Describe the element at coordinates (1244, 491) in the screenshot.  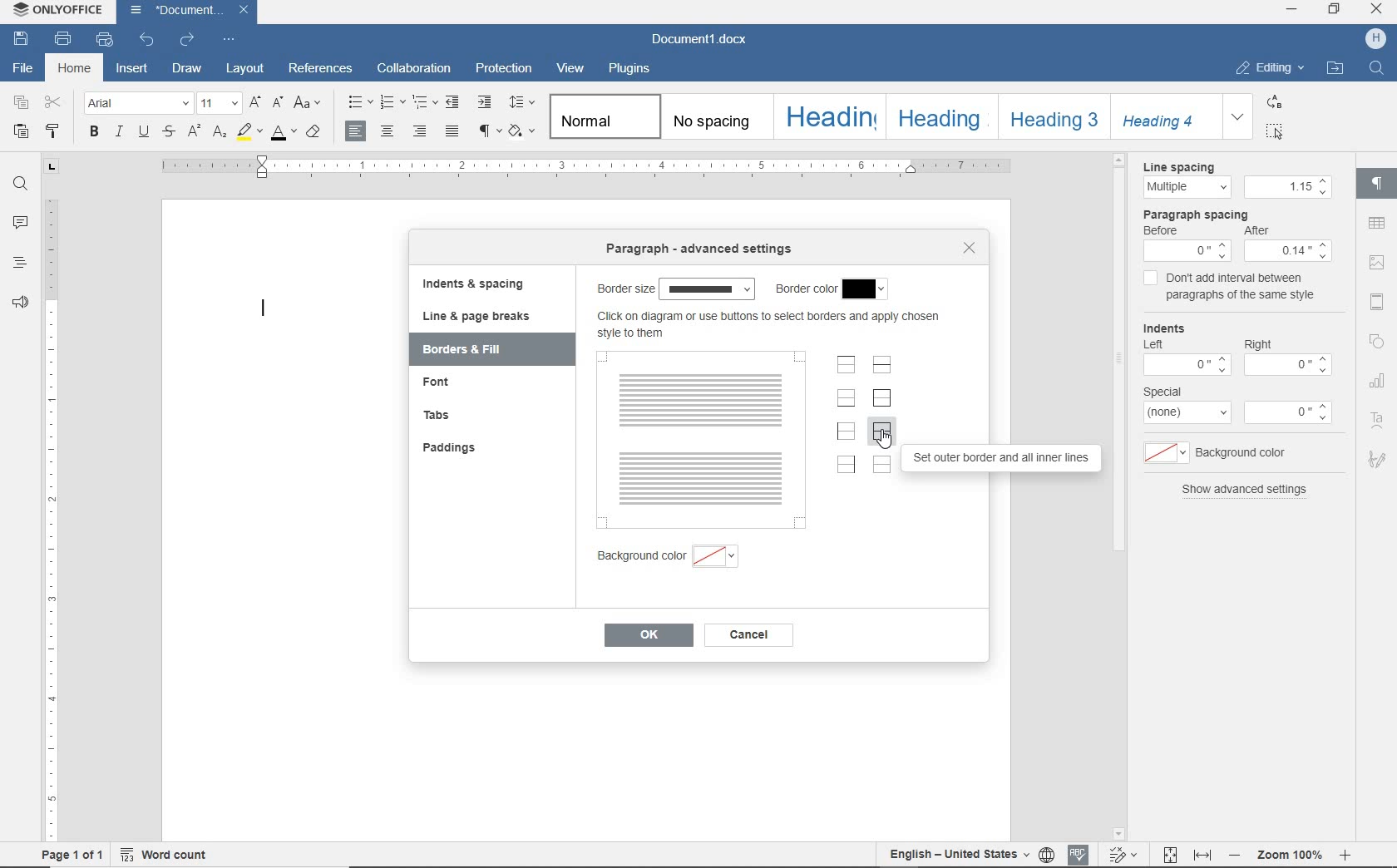
I see `show advanced settings` at that location.